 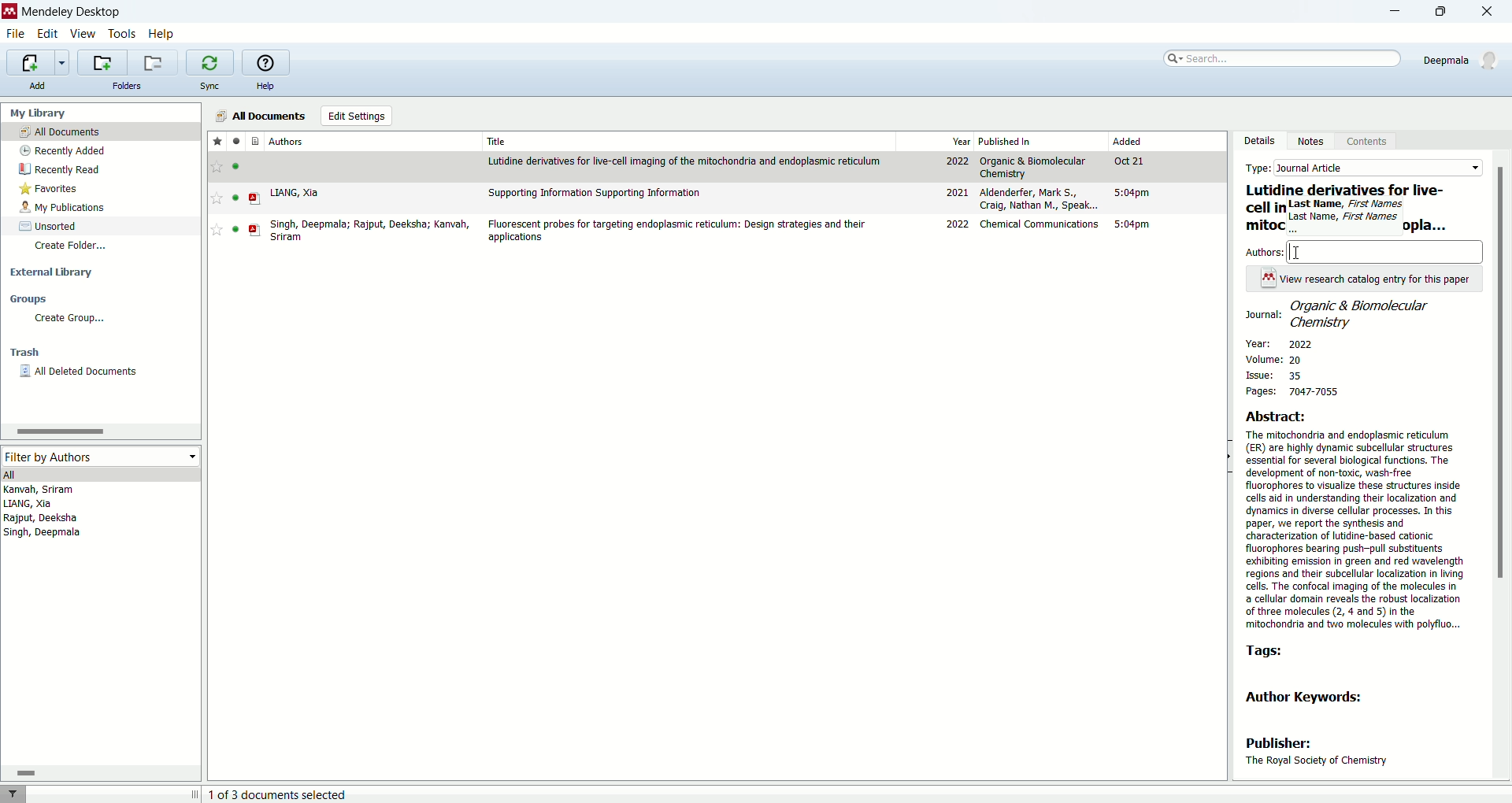 I want to click on View research catalog entry for this paper, so click(x=1376, y=279).